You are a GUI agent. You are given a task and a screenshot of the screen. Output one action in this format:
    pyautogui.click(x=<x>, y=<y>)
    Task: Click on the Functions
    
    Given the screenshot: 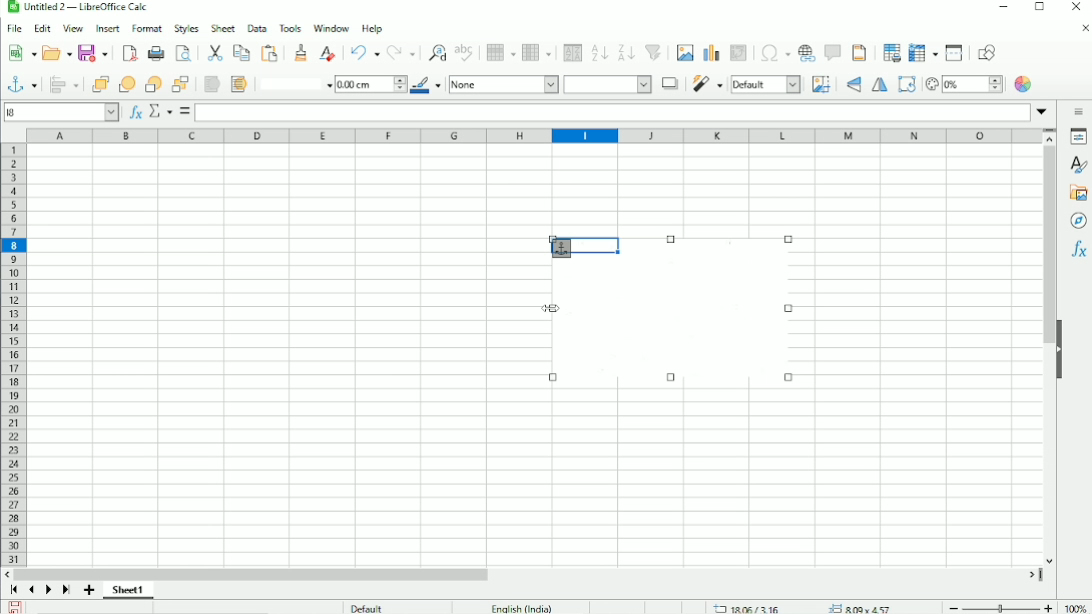 What is the action you would take?
    pyautogui.click(x=1078, y=251)
    